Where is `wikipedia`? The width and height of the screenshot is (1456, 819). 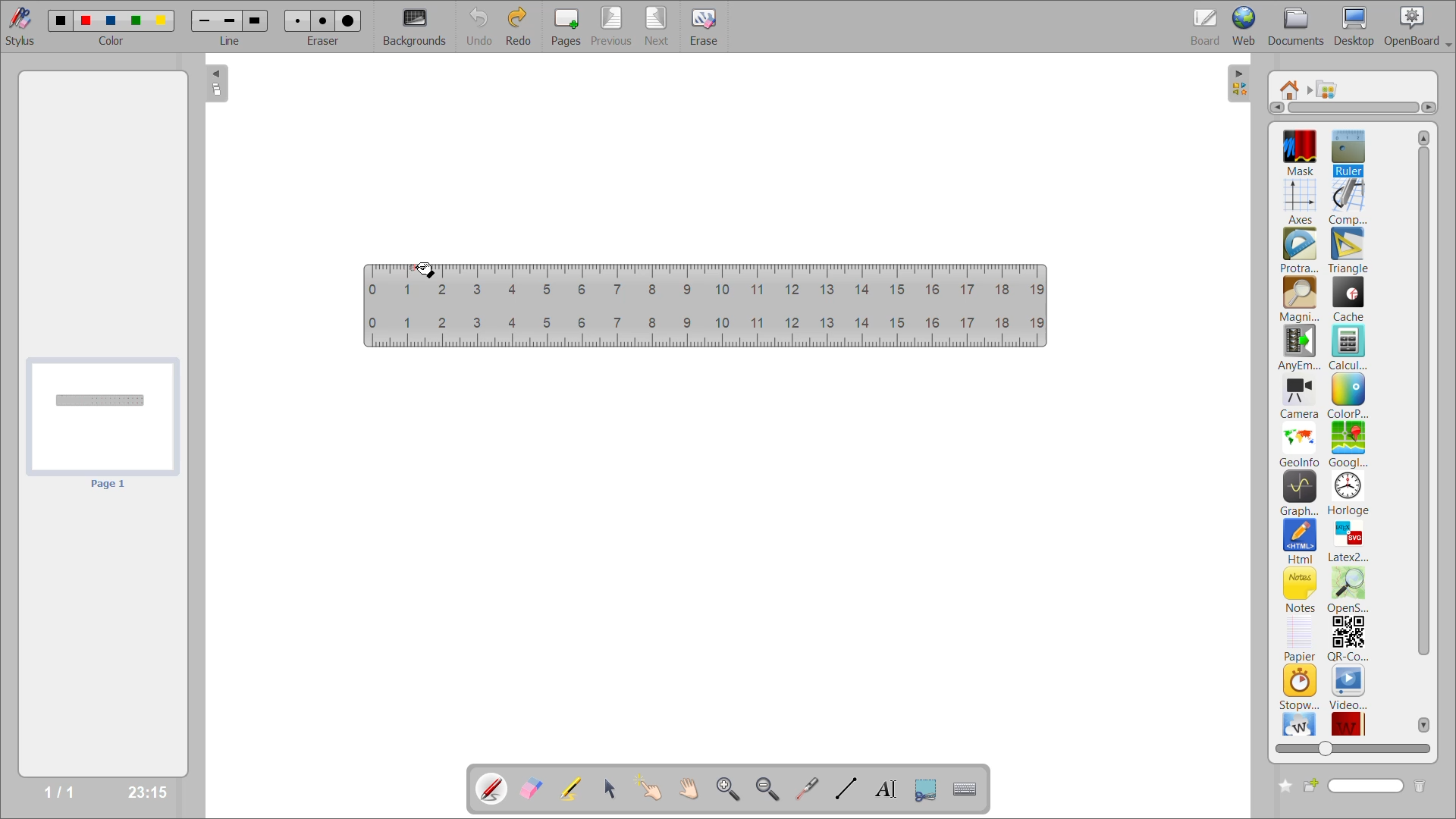 wikipedia is located at coordinates (1299, 723).